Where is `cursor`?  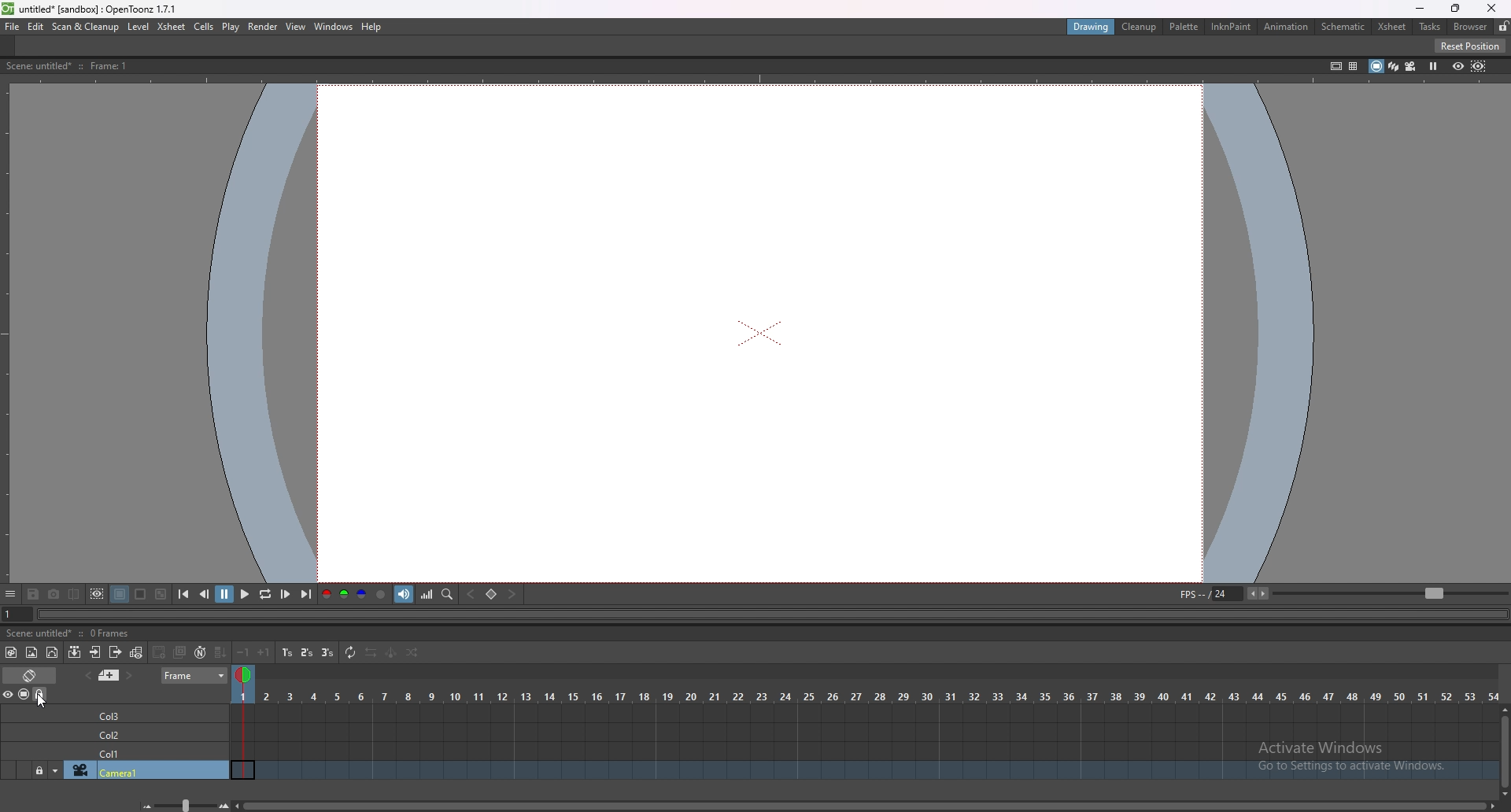 cursor is located at coordinates (39, 699).